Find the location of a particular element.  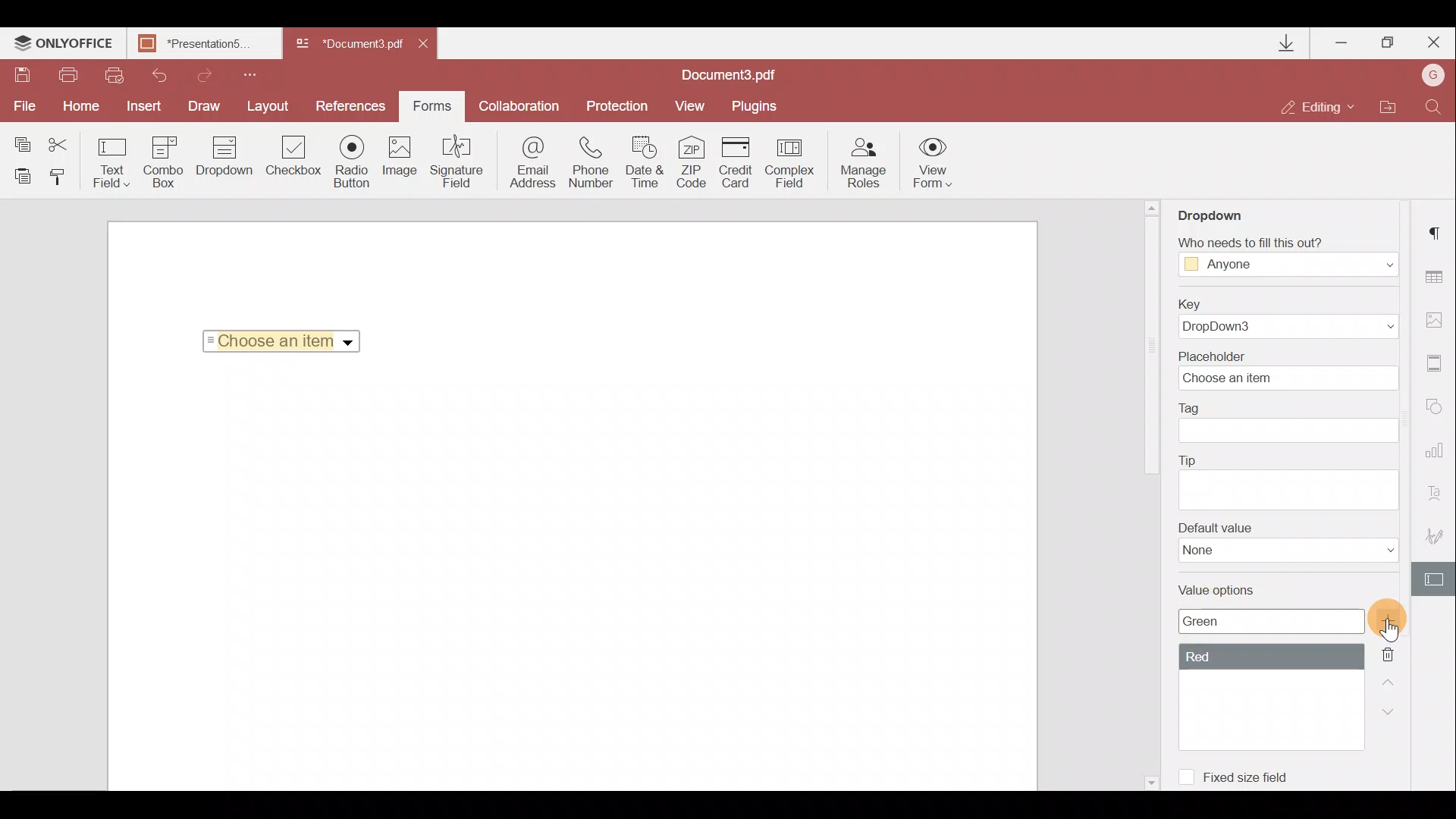

Fill Access is located at coordinates (1285, 257).